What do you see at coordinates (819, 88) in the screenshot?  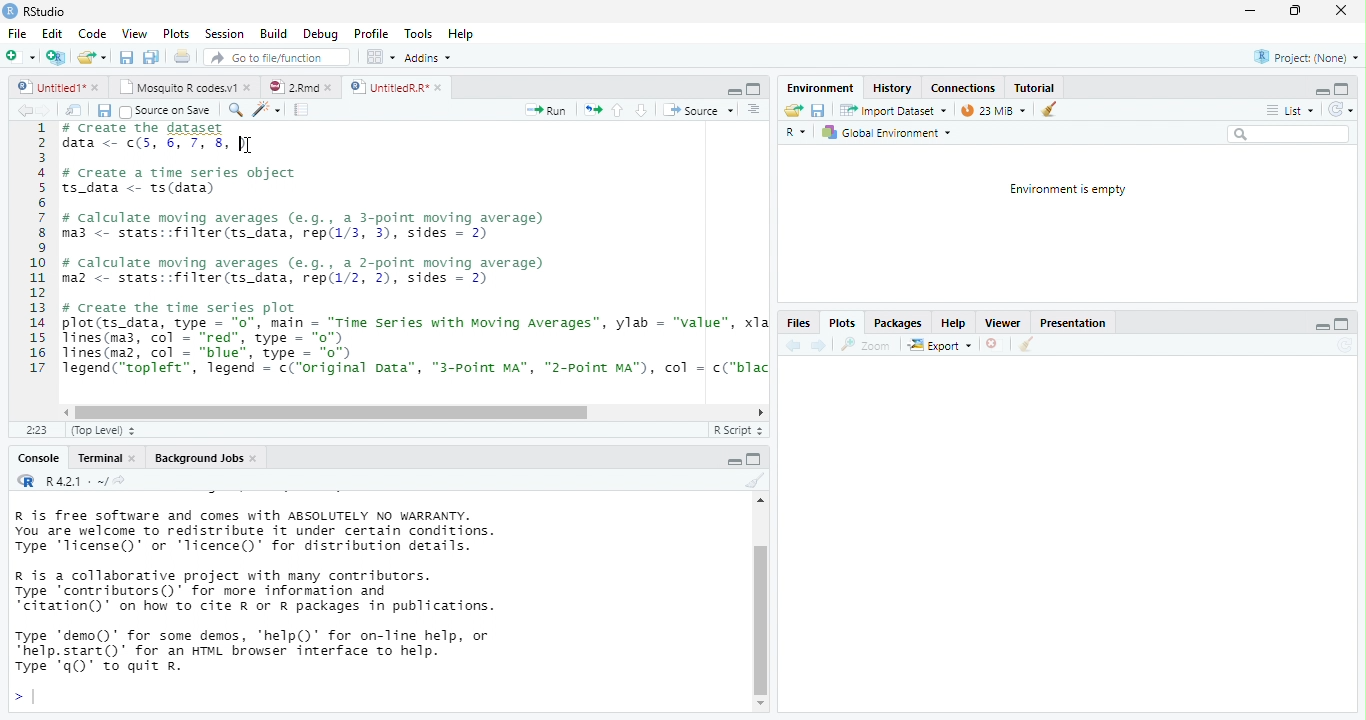 I see `‘Environment` at bounding box center [819, 88].